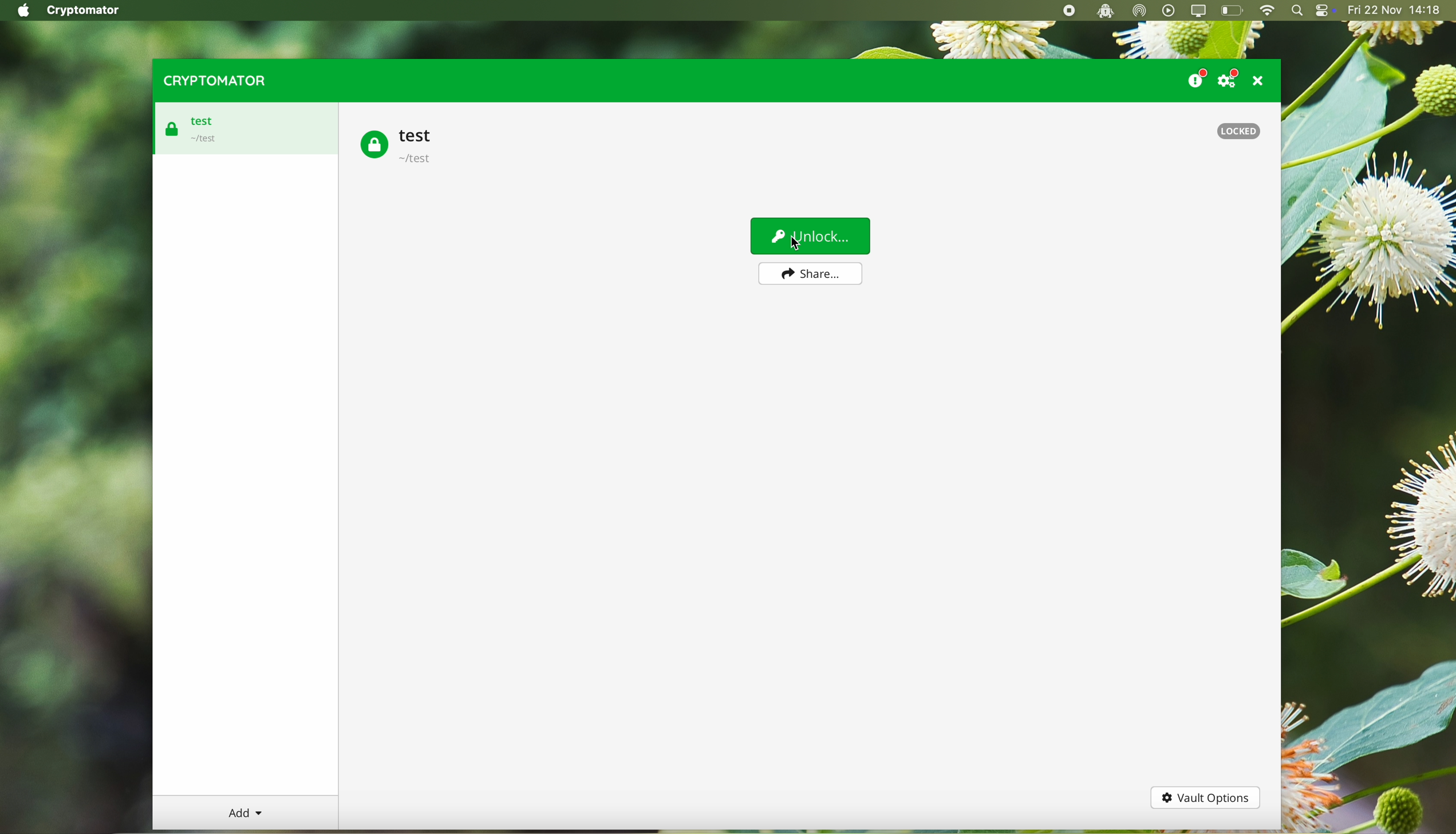 This screenshot has width=1456, height=834. I want to click on Cryptomator, so click(85, 11).